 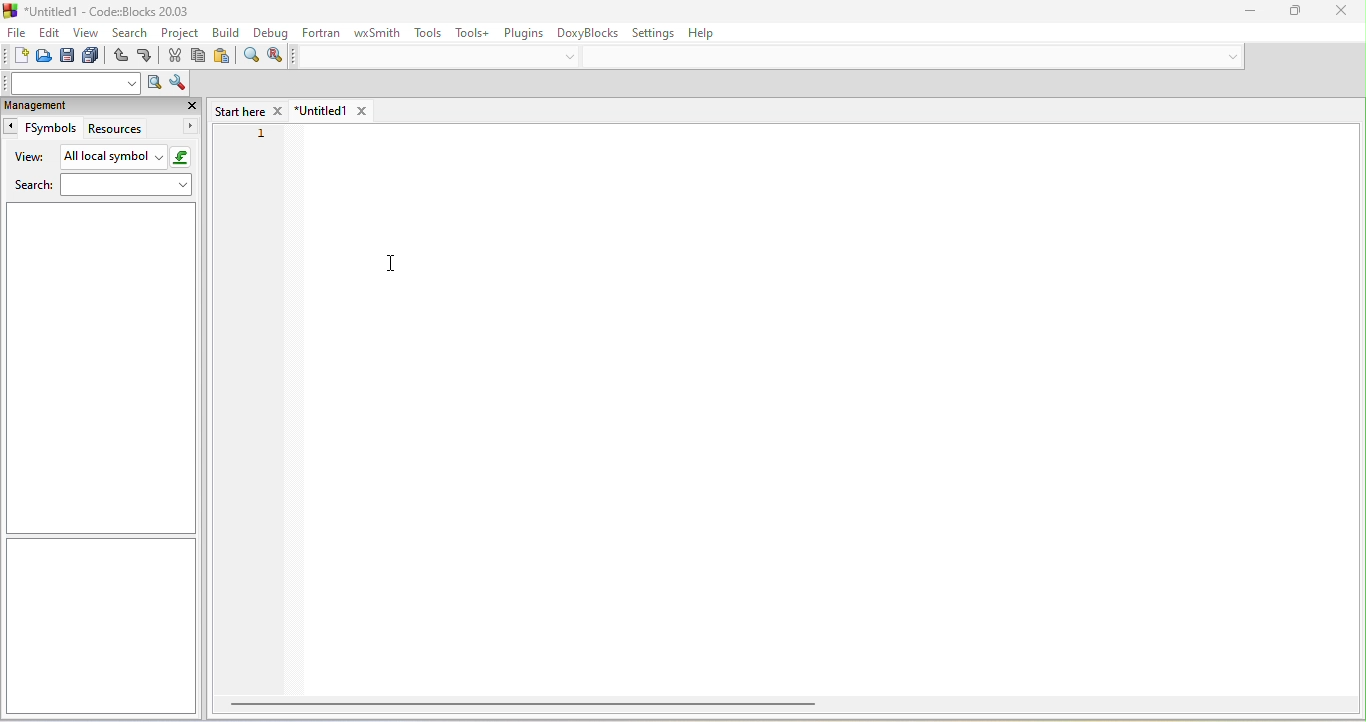 What do you see at coordinates (272, 32) in the screenshot?
I see `debug` at bounding box center [272, 32].